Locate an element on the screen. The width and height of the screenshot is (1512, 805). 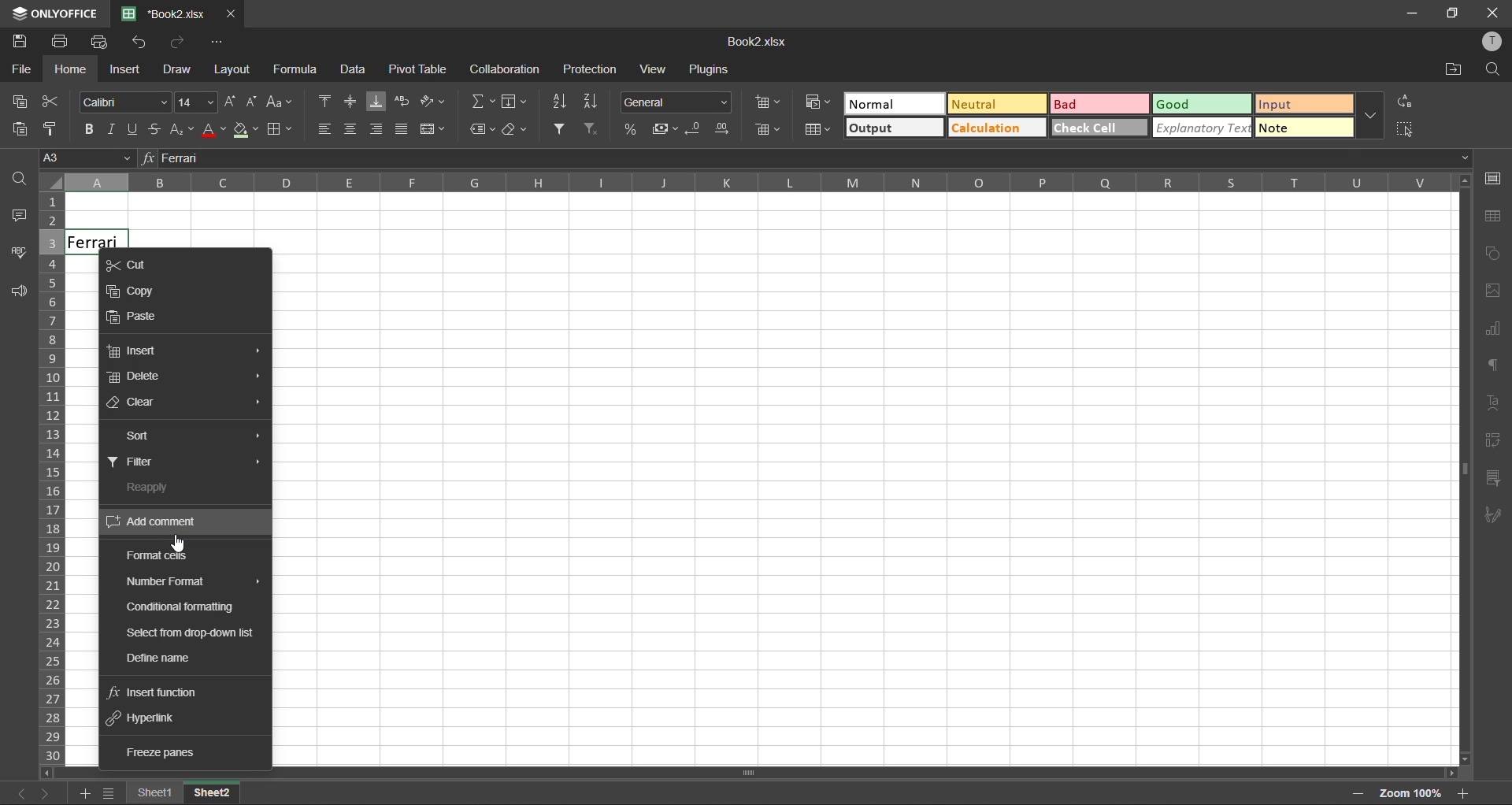
find is located at coordinates (1498, 69).